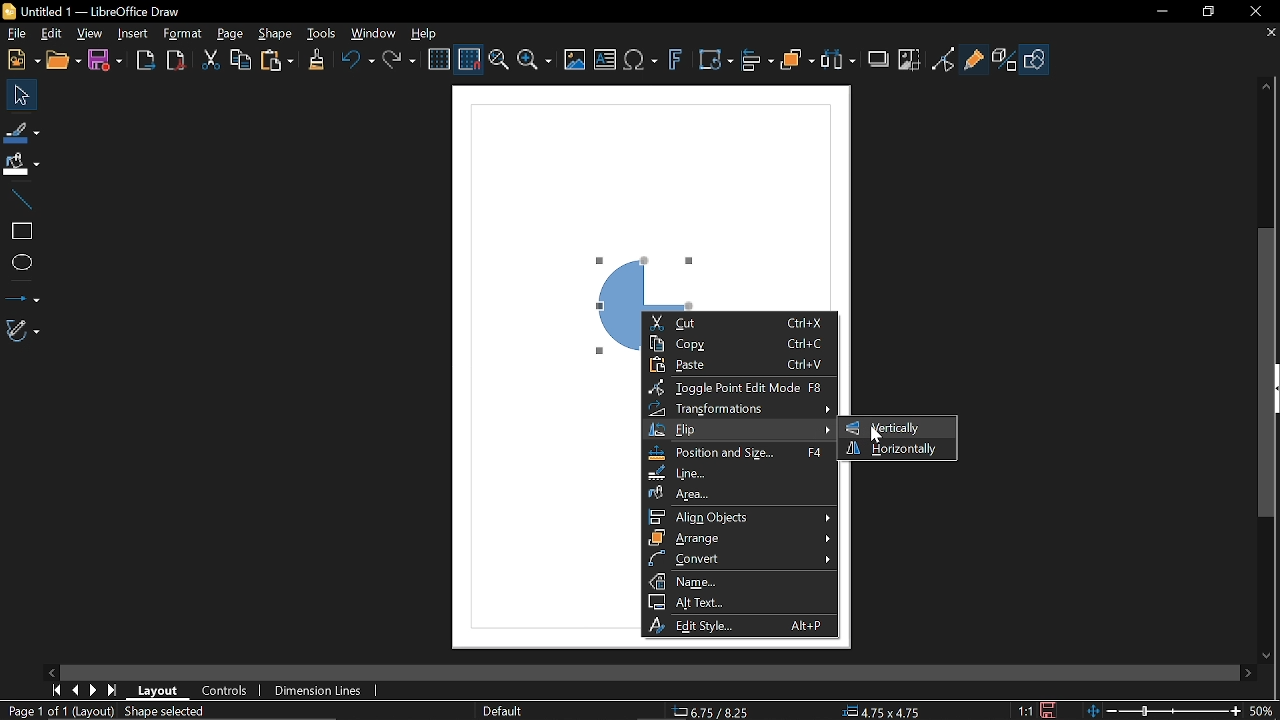 The height and width of the screenshot is (720, 1280). Describe the element at coordinates (738, 473) in the screenshot. I see `Line` at that location.